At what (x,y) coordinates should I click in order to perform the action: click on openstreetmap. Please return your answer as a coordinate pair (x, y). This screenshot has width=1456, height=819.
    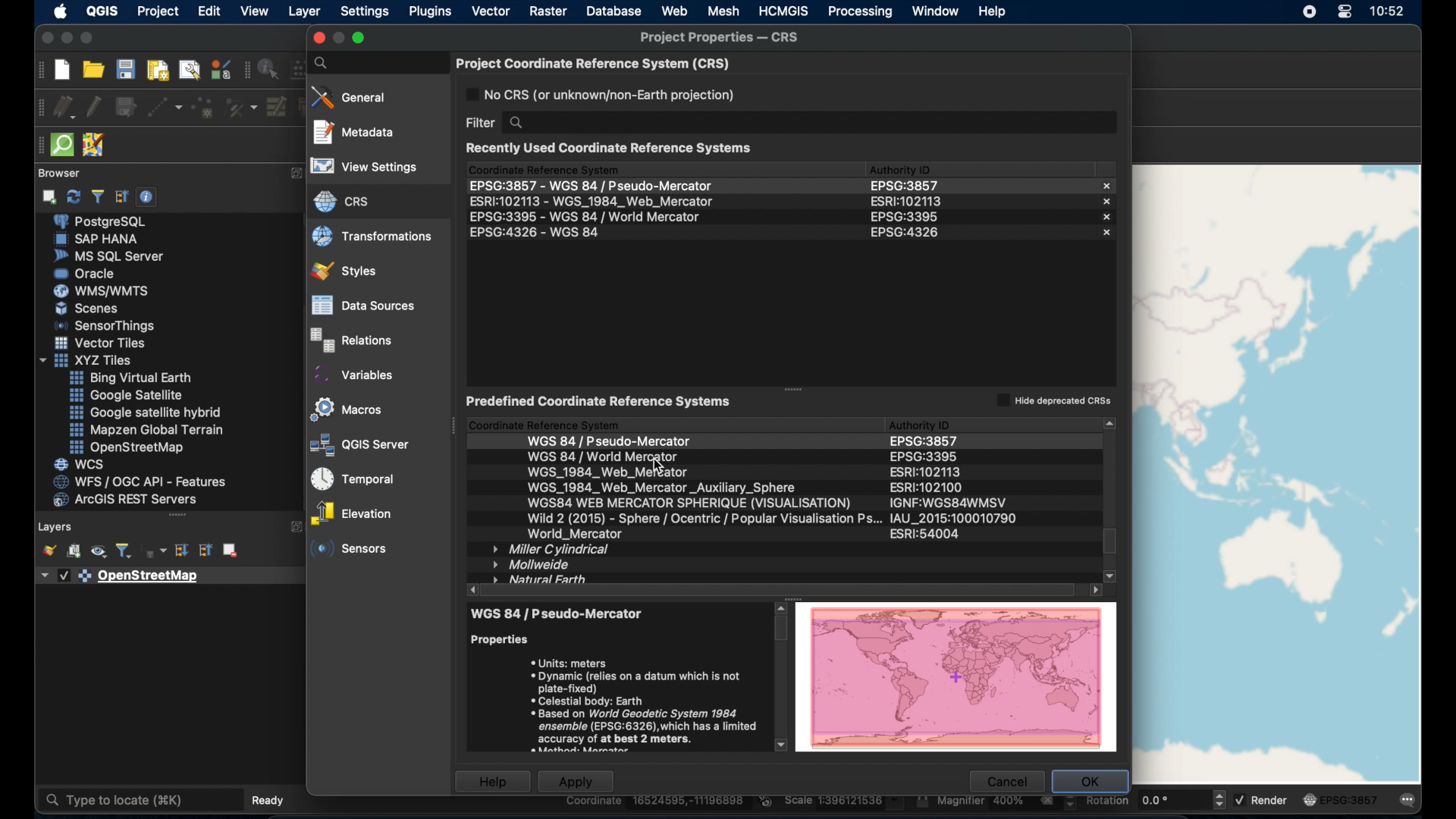
    Looking at the image, I should click on (133, 448).